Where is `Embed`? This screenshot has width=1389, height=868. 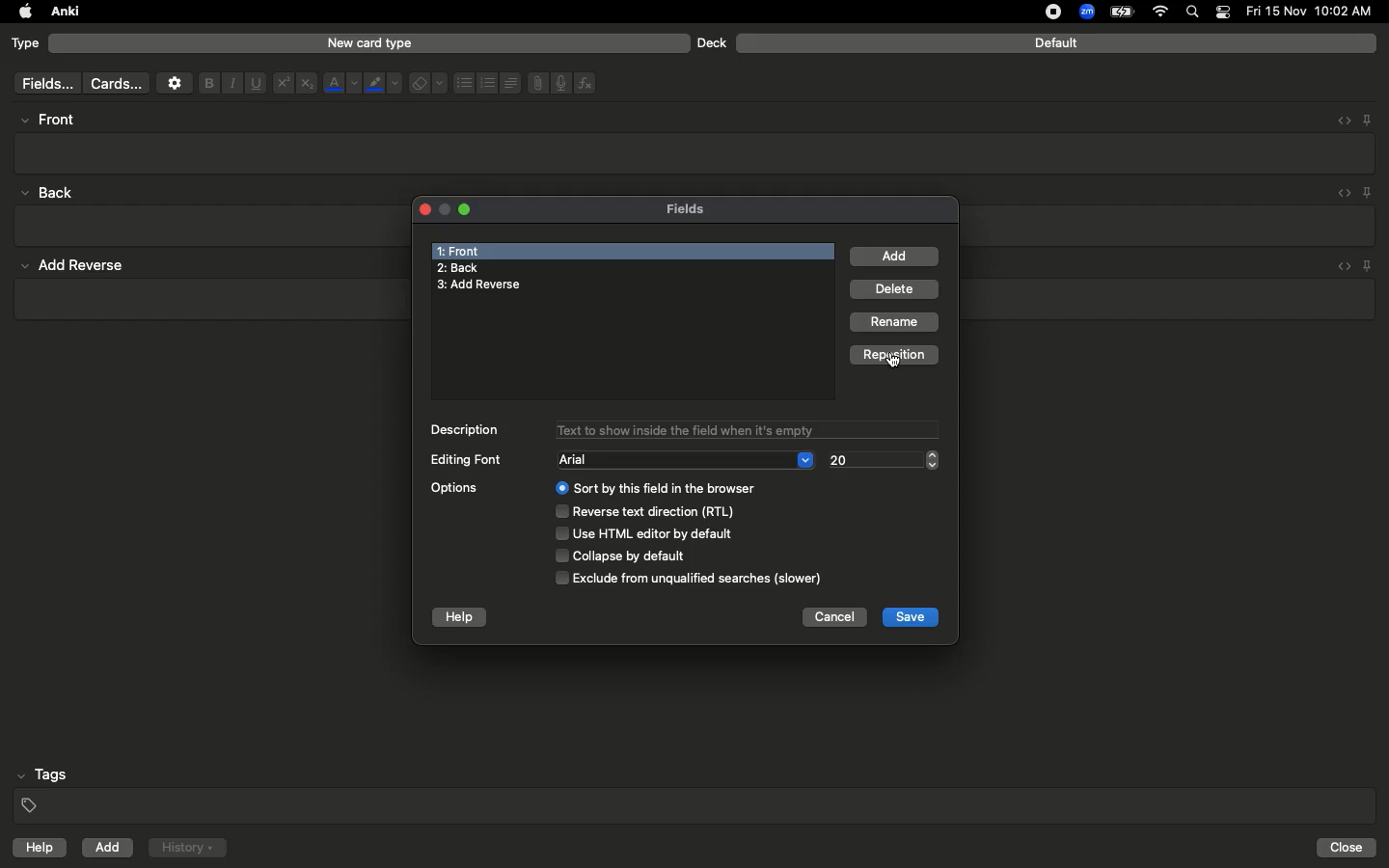
Embed is located at coordinates (1338, 121).